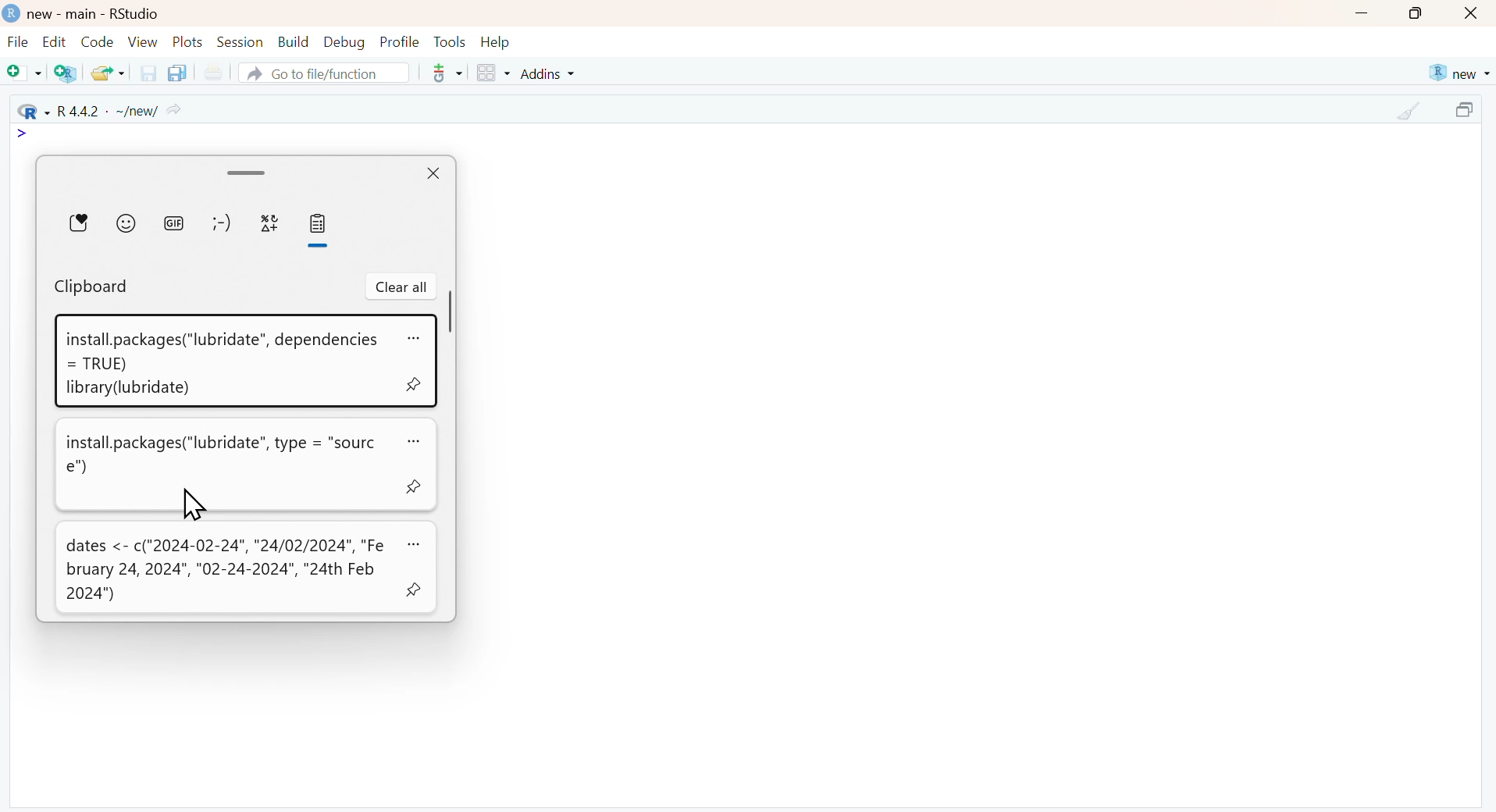 This screenshot has width=1496, height=812. What do you see at coordinates (414, 337) in the screenshot?
I see `more options` at bounding box center [414, 337].